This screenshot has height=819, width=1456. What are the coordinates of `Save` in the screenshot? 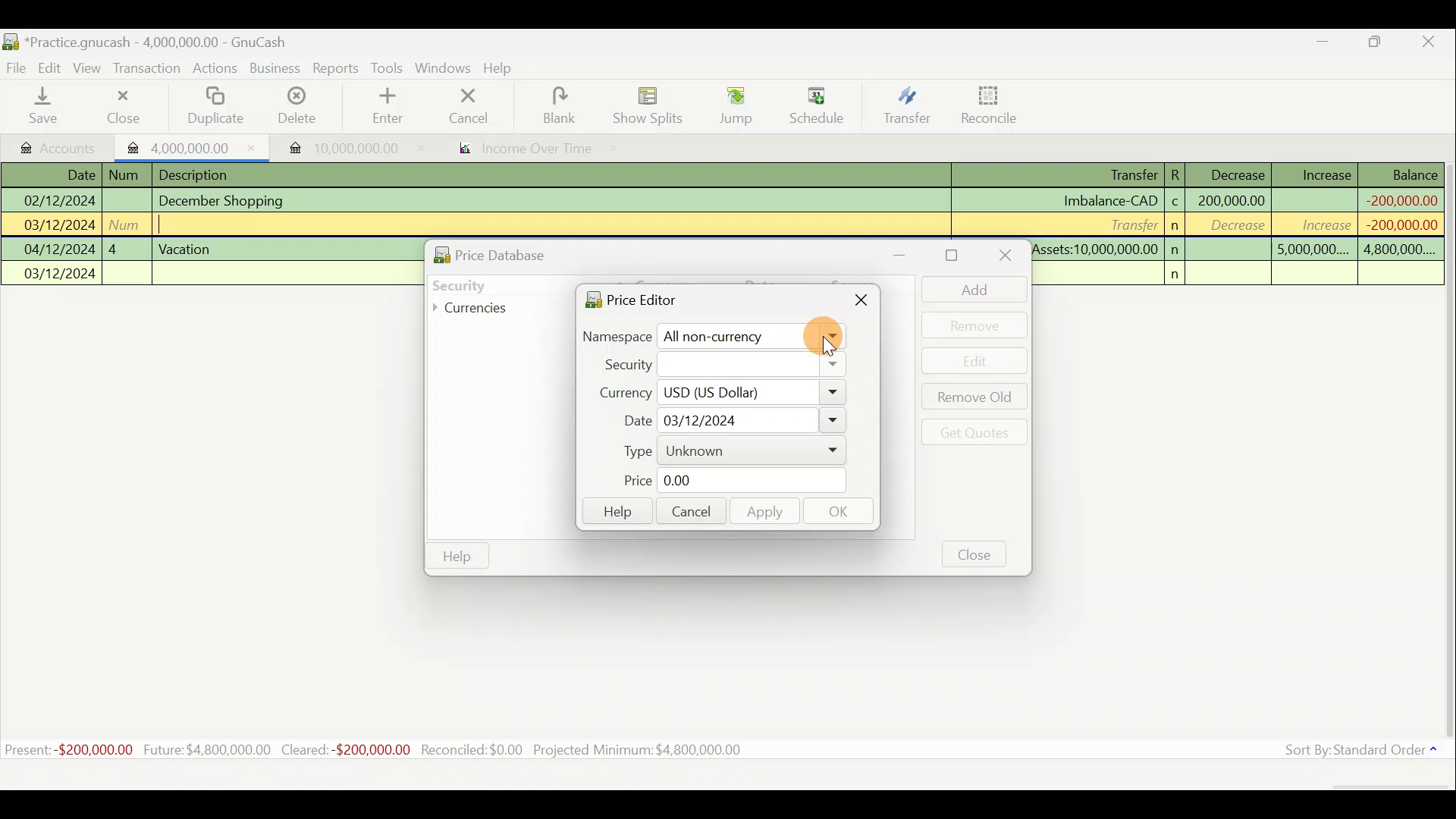 It's located at (46, 107).